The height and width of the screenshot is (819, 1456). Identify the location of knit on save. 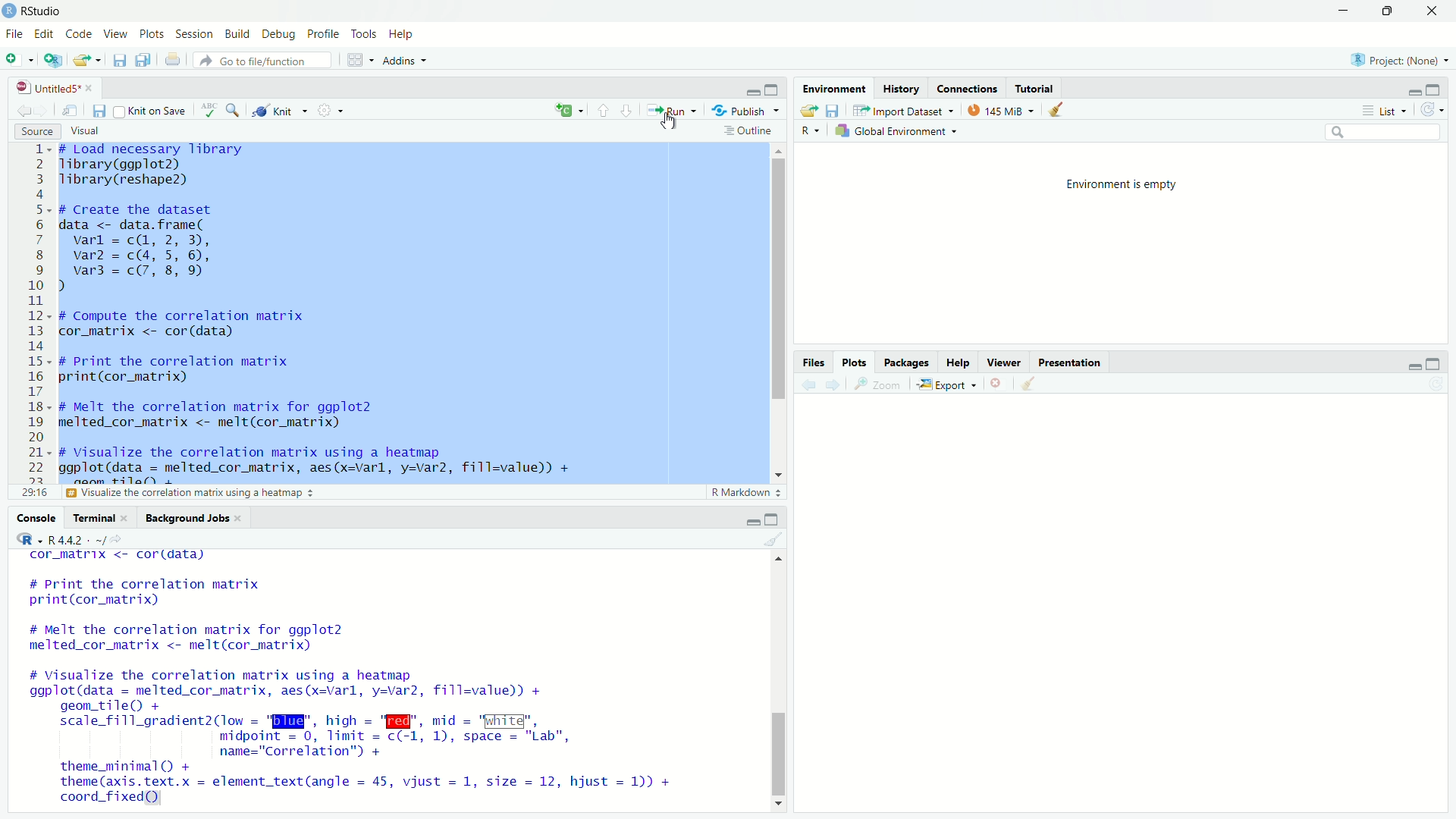
(152, 111).